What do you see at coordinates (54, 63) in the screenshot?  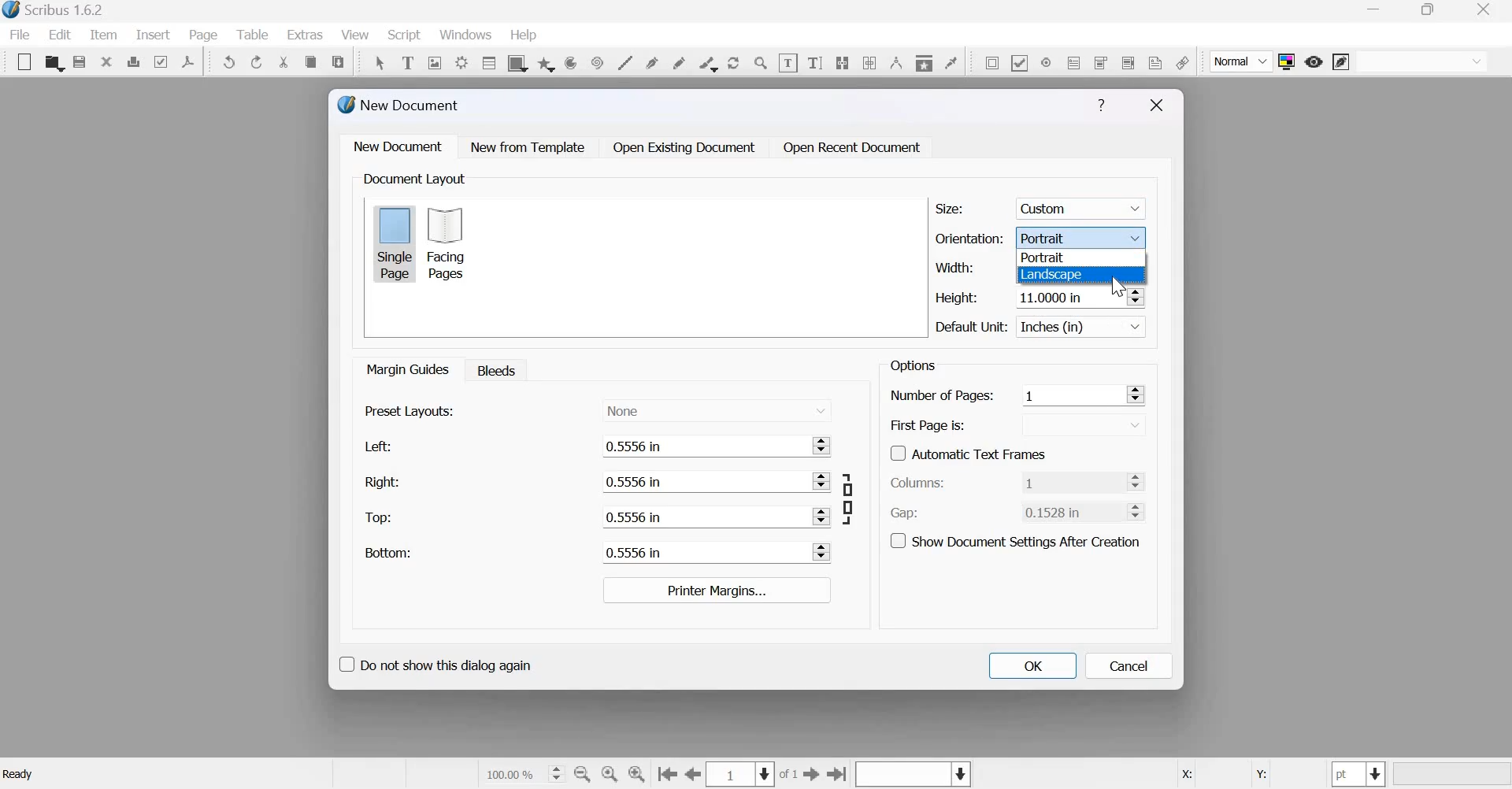 I see `open` at bounding box center [54, 63].